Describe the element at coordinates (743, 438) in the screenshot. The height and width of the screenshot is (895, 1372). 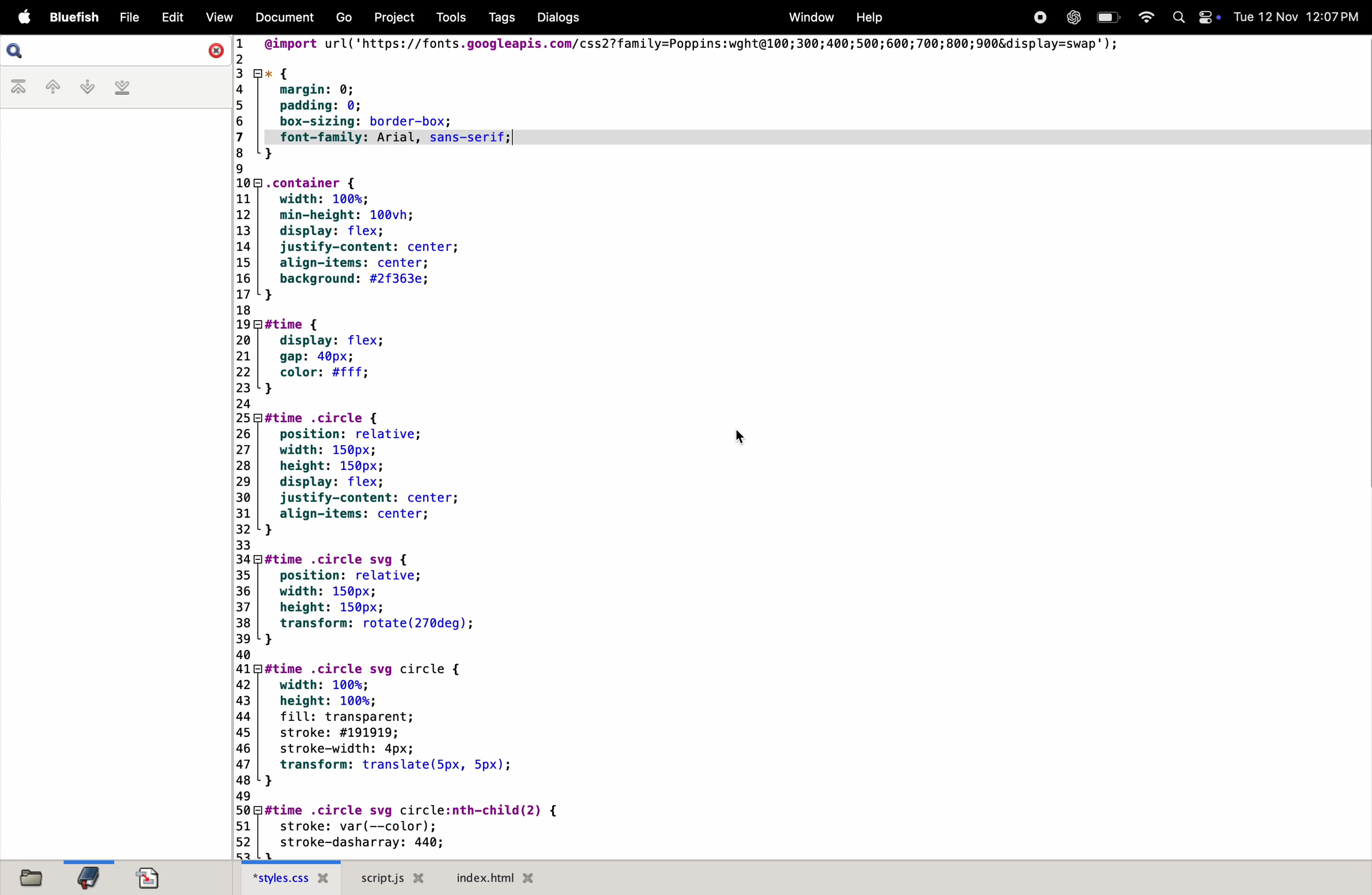
I see `cursor` at that location.